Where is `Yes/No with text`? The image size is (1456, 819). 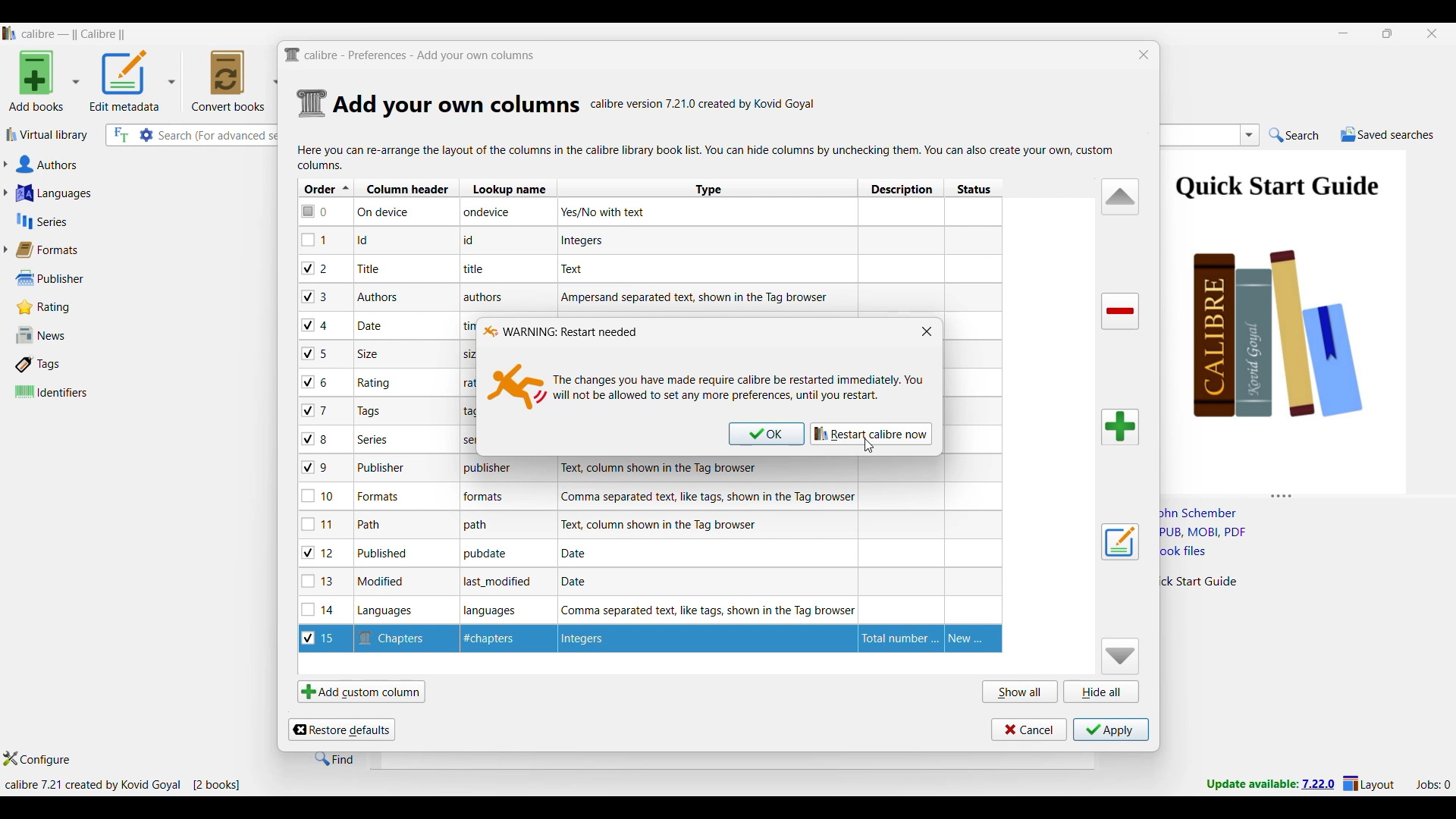
Yes/No with text is located at coordinates (609, 212).